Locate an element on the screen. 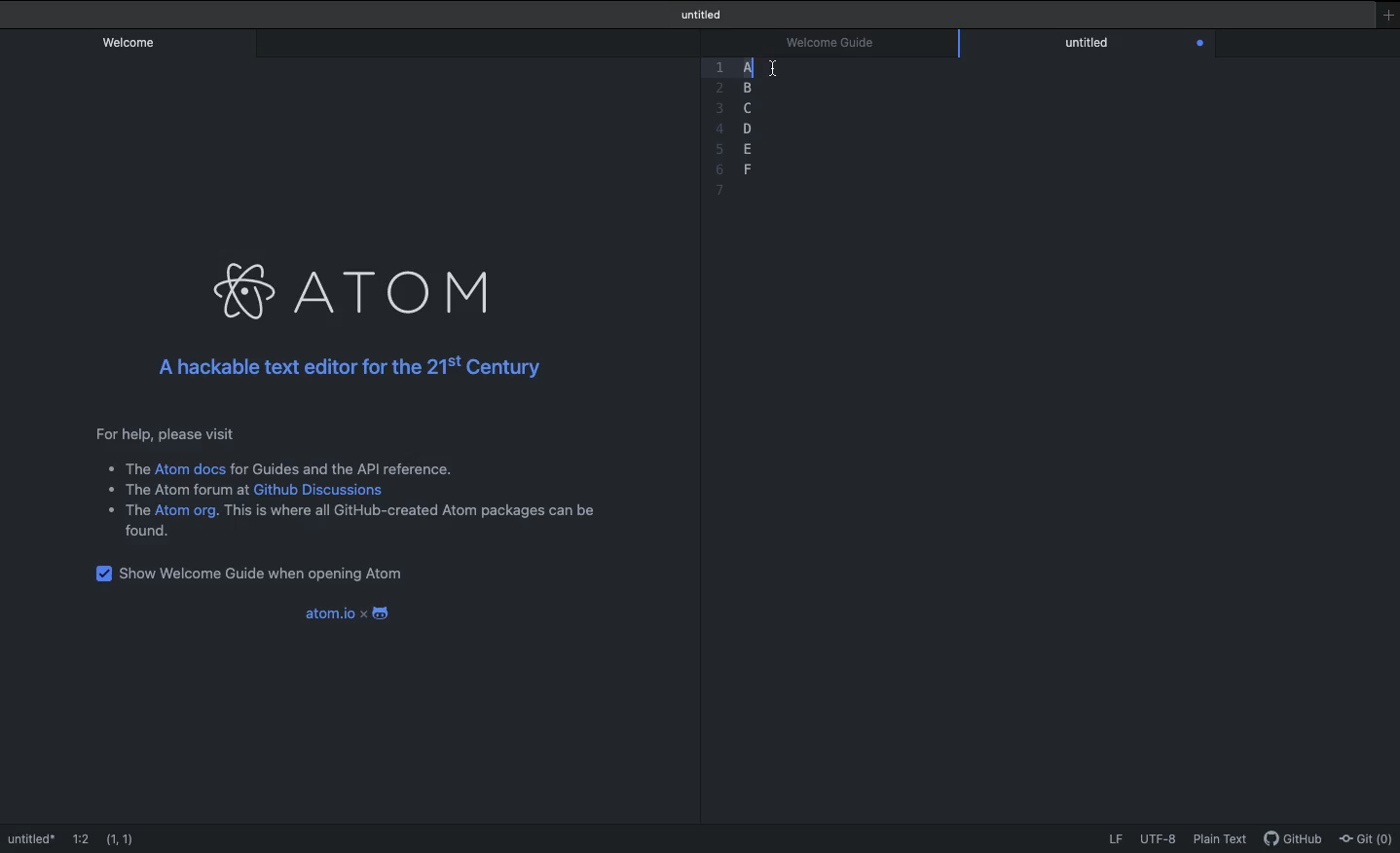  Atom is located at coordinates (360, 284).